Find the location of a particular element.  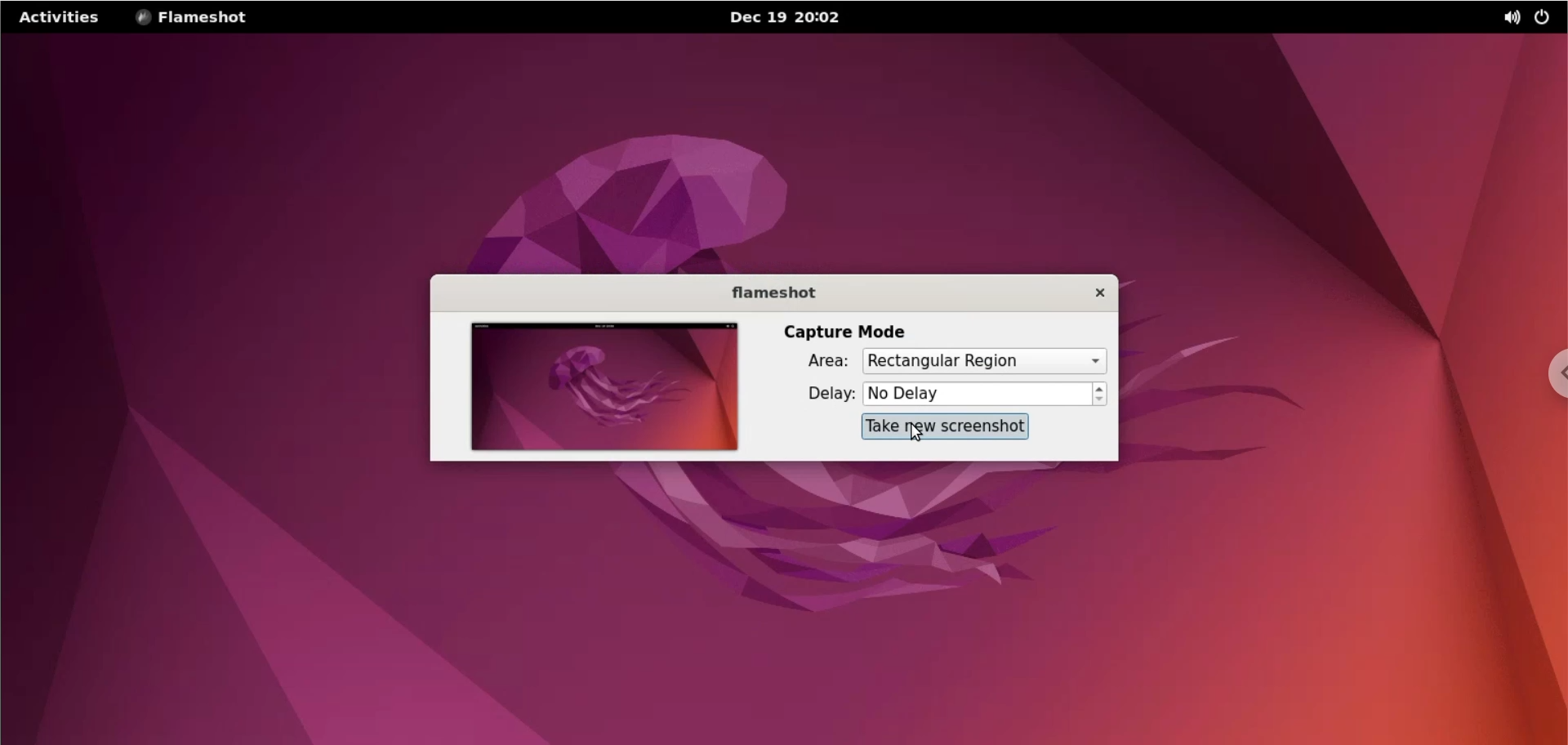

sound settings options is located at coordinates (1508, 19).